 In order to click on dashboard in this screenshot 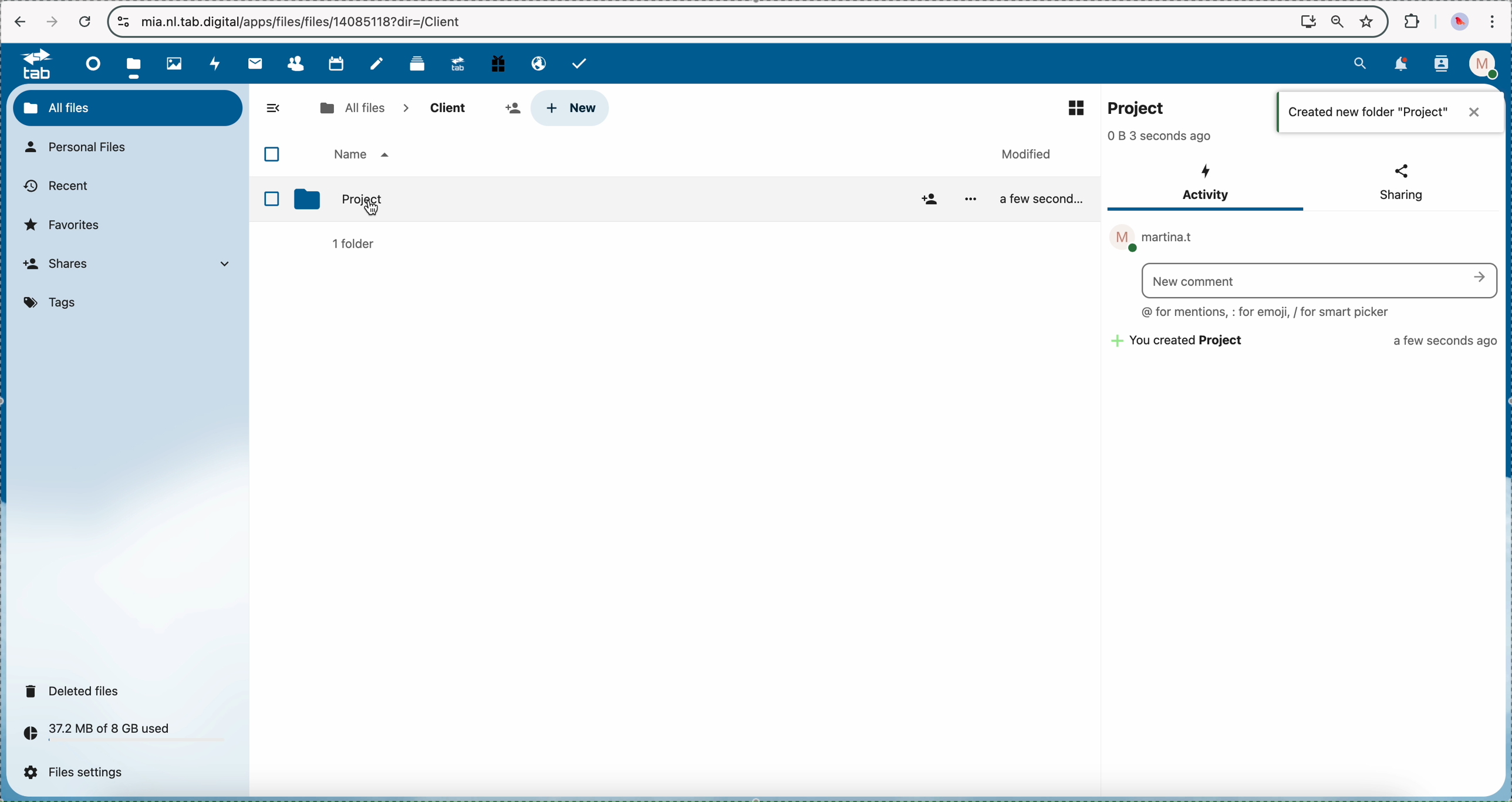, I will do `click(90, 63)`.